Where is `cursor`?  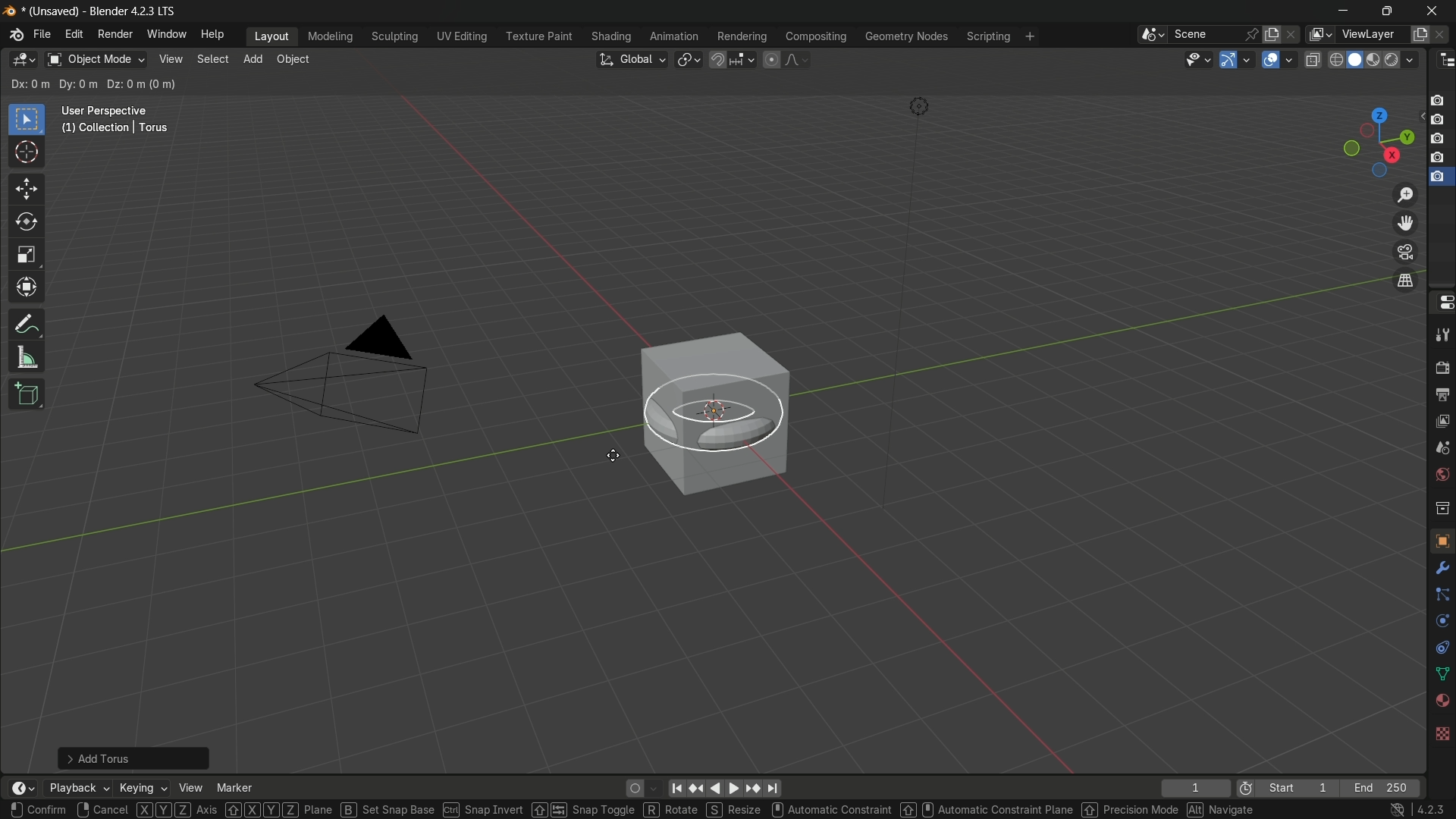
cursor is located at coordinates (27, 153).